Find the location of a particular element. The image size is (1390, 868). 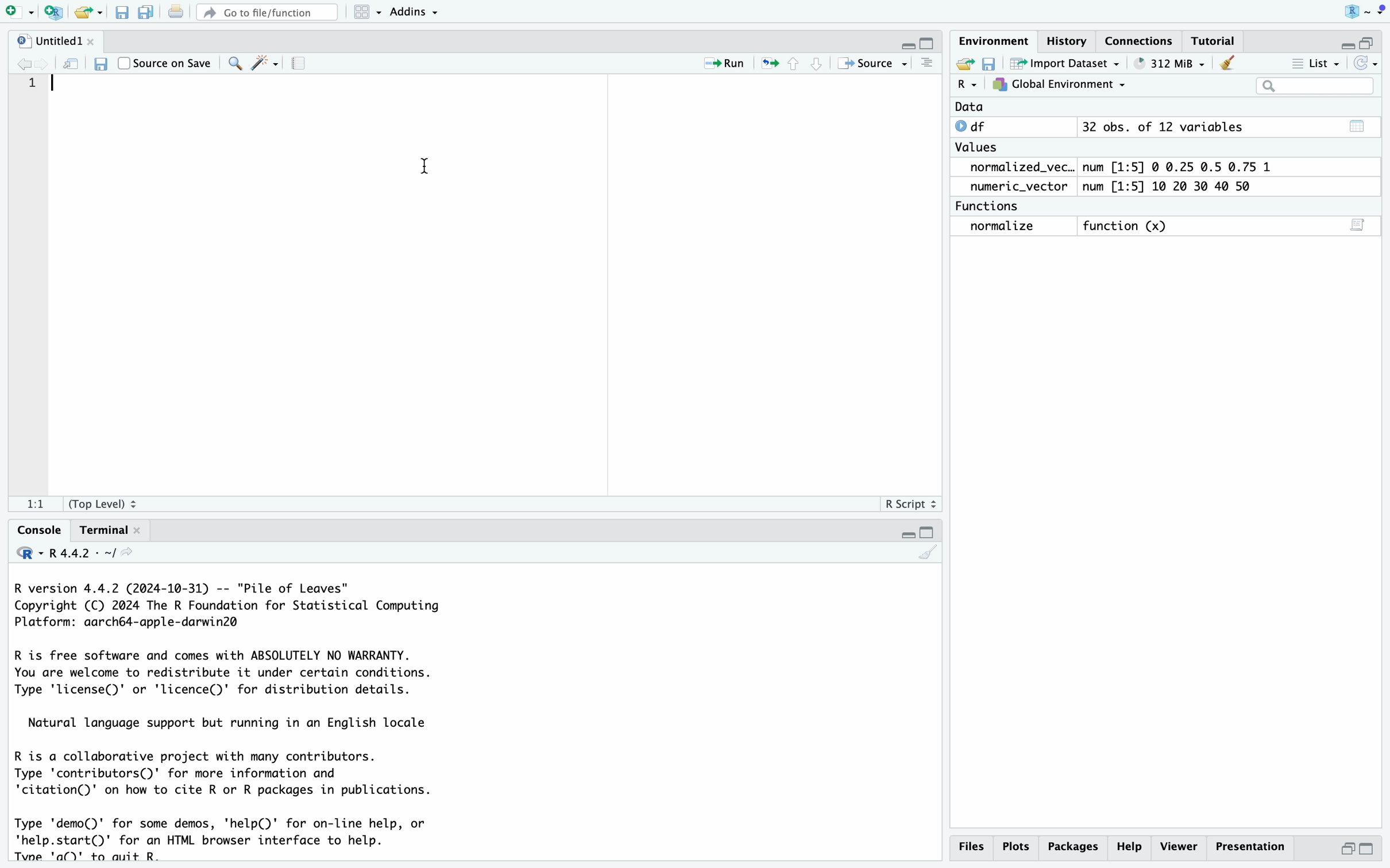

p Viewer is located at coordinates (1182, 846).